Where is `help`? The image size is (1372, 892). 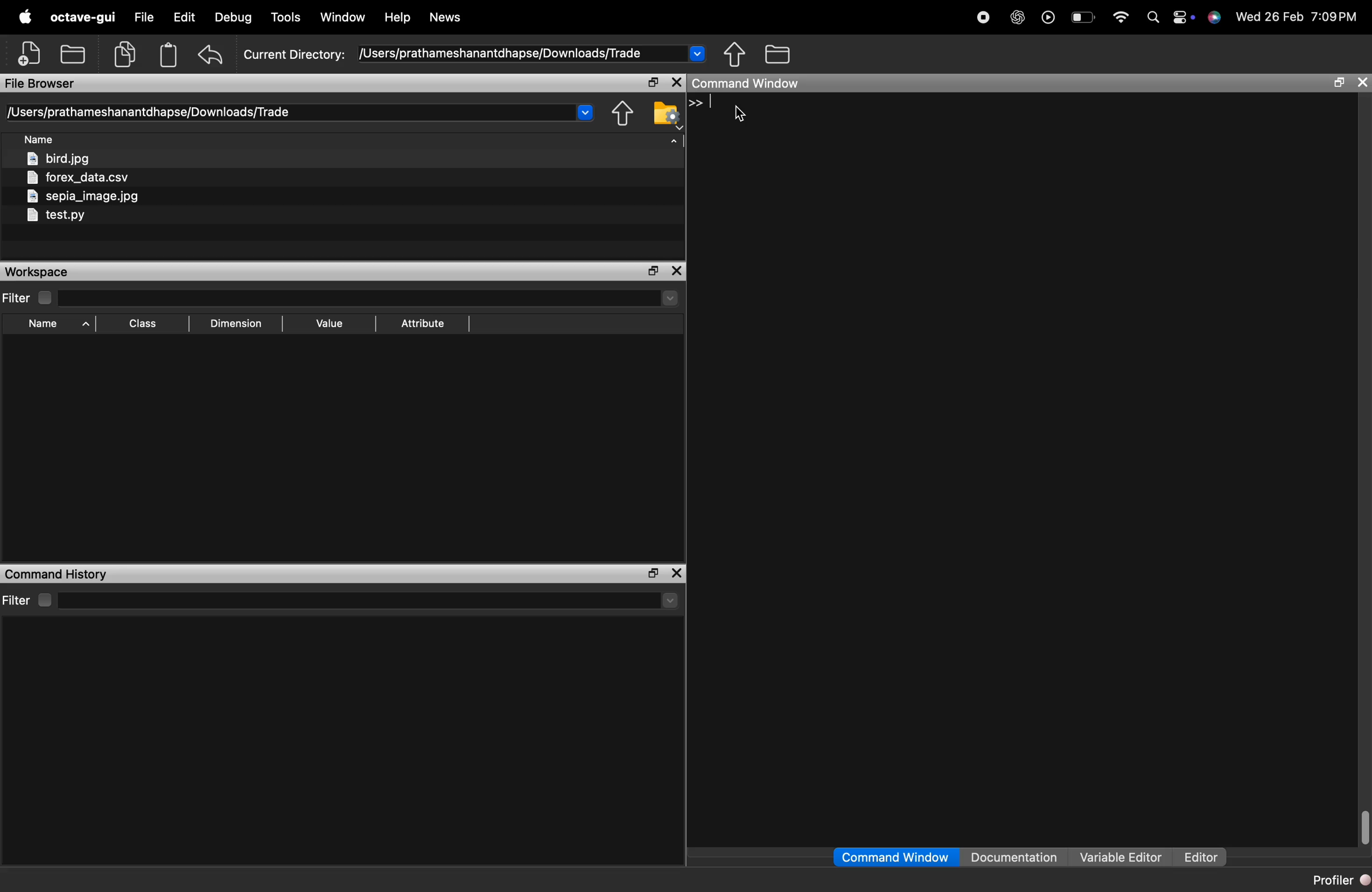
help is located at coordinates (398, 18).